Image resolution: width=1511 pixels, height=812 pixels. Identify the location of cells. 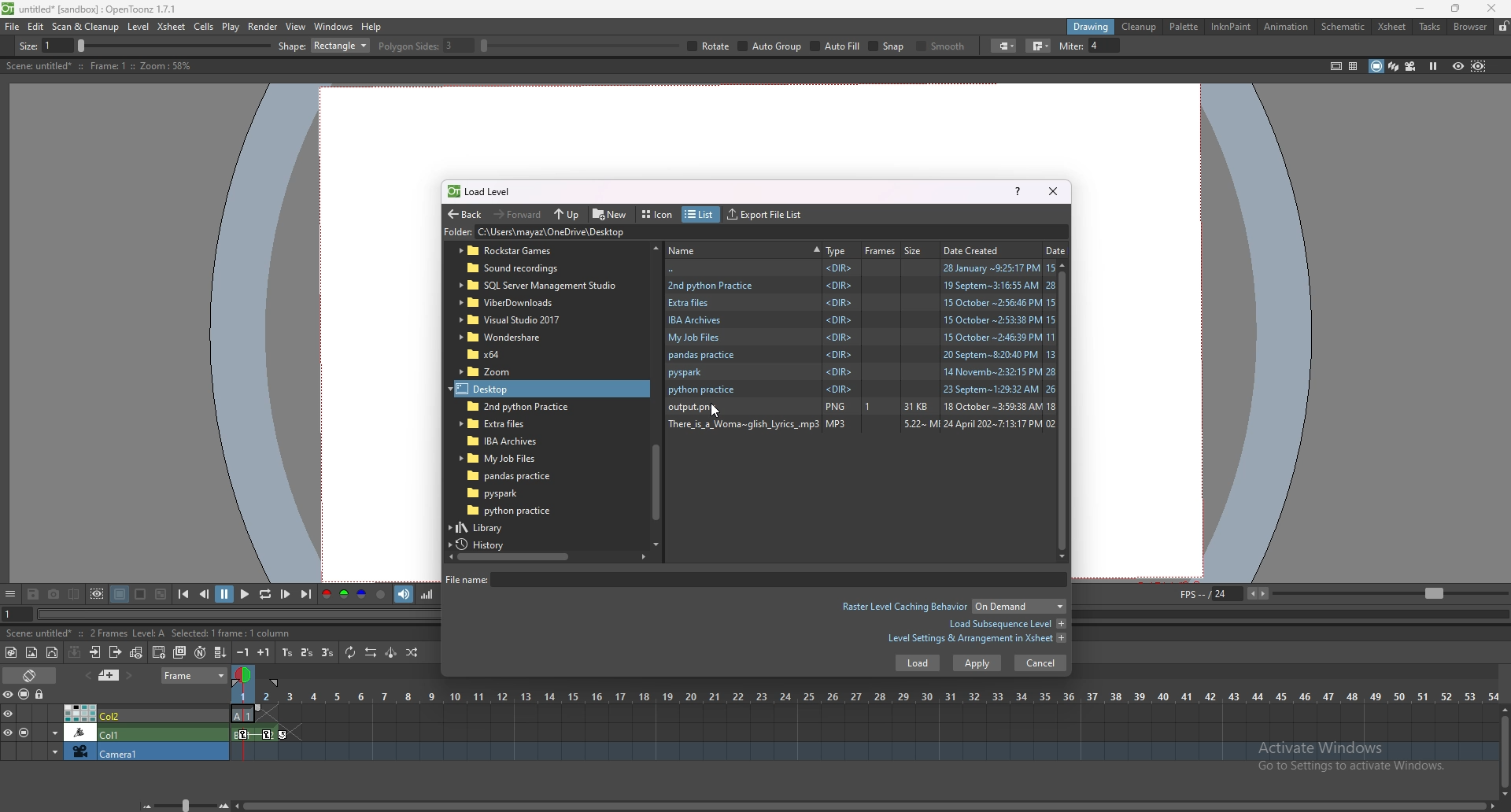
(203, 26).